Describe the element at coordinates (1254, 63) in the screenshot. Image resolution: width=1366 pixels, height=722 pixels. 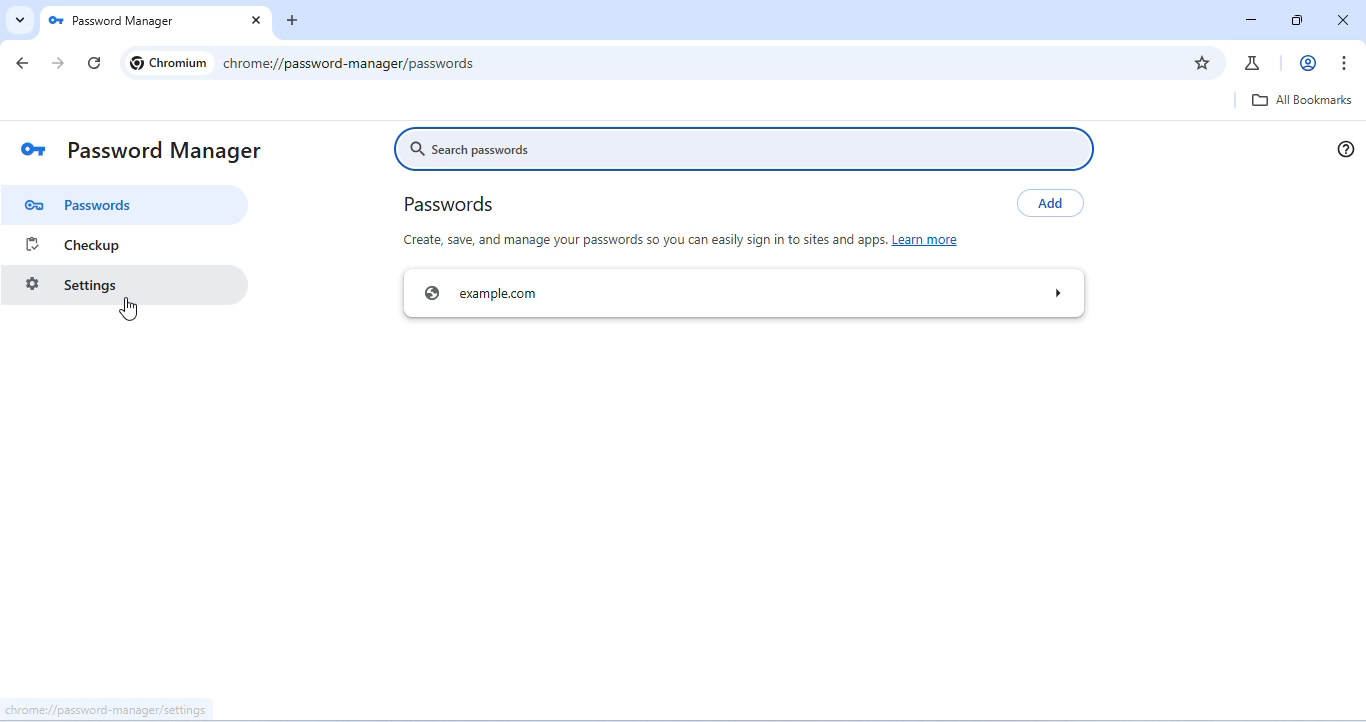
I see `chrome labs` at that location.